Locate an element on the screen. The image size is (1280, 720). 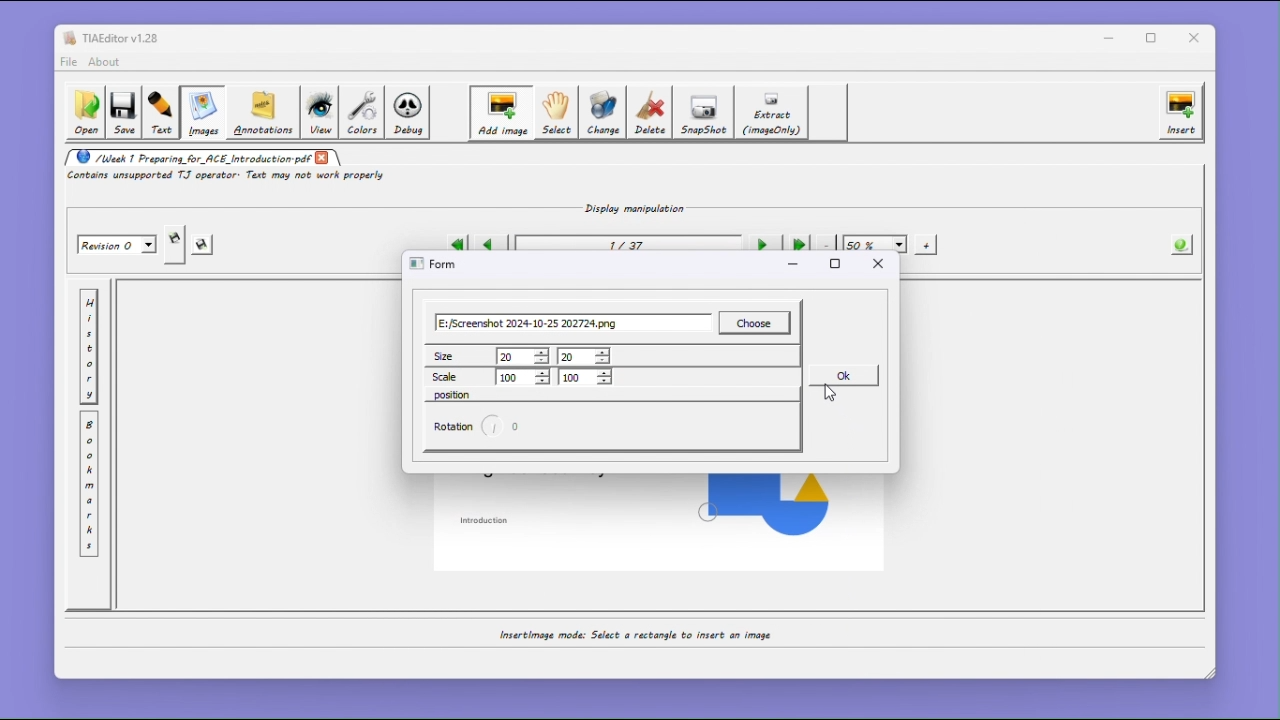
save is located at coordinates (123, 114).